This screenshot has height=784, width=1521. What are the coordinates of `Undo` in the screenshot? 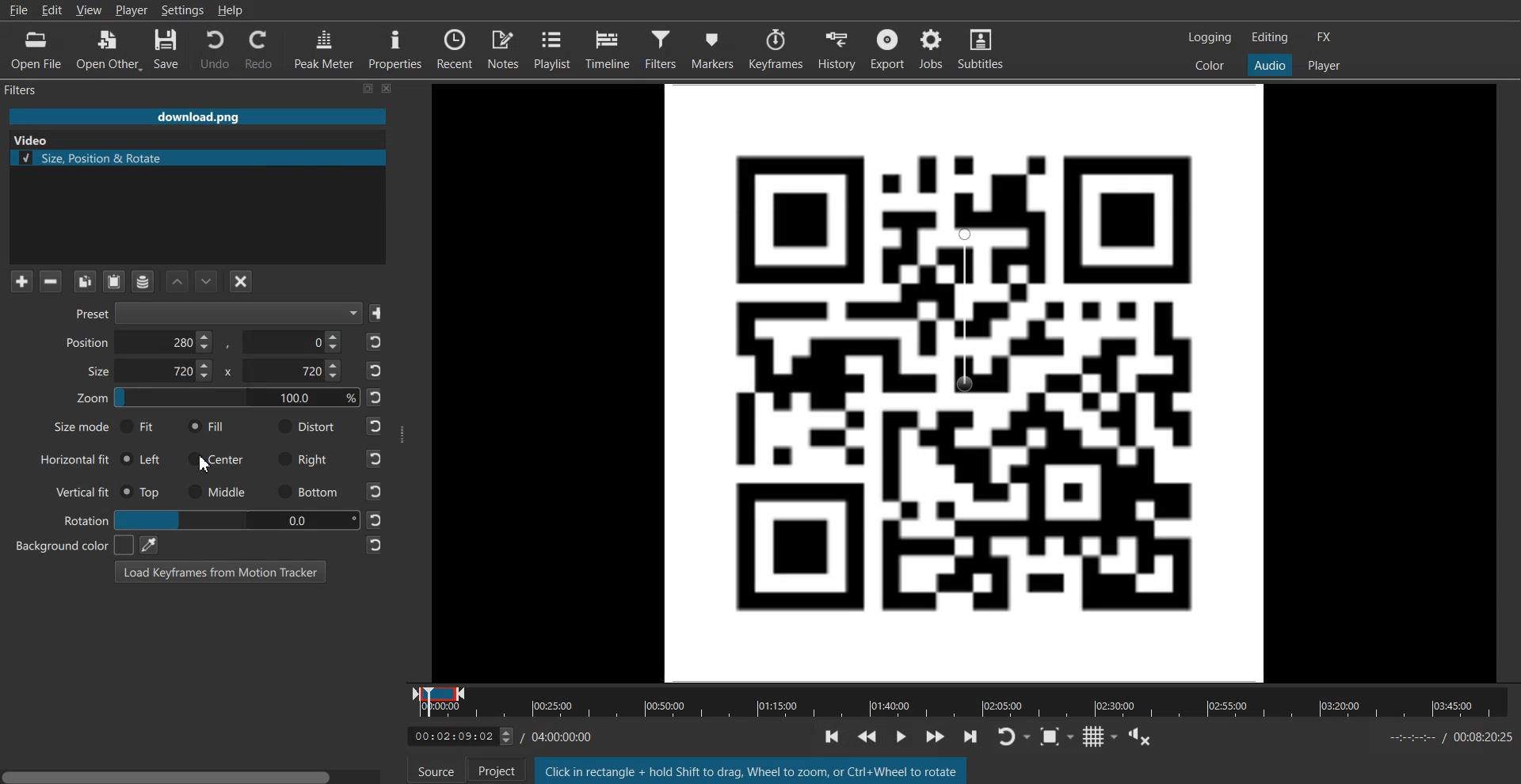 It's located at (213, 50).